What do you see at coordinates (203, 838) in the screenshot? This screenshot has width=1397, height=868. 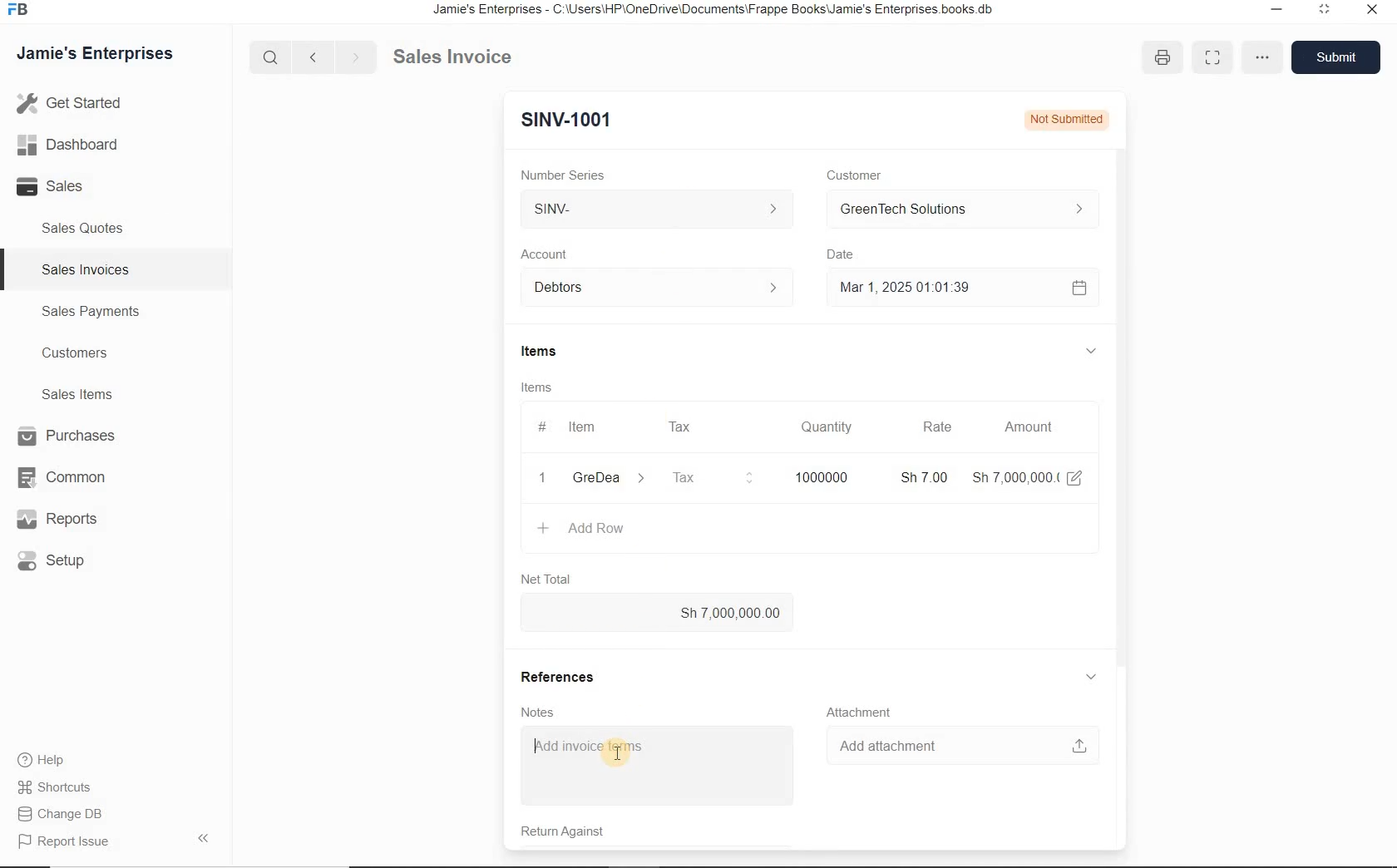 I see `hide` at bounding box center [203, 838].